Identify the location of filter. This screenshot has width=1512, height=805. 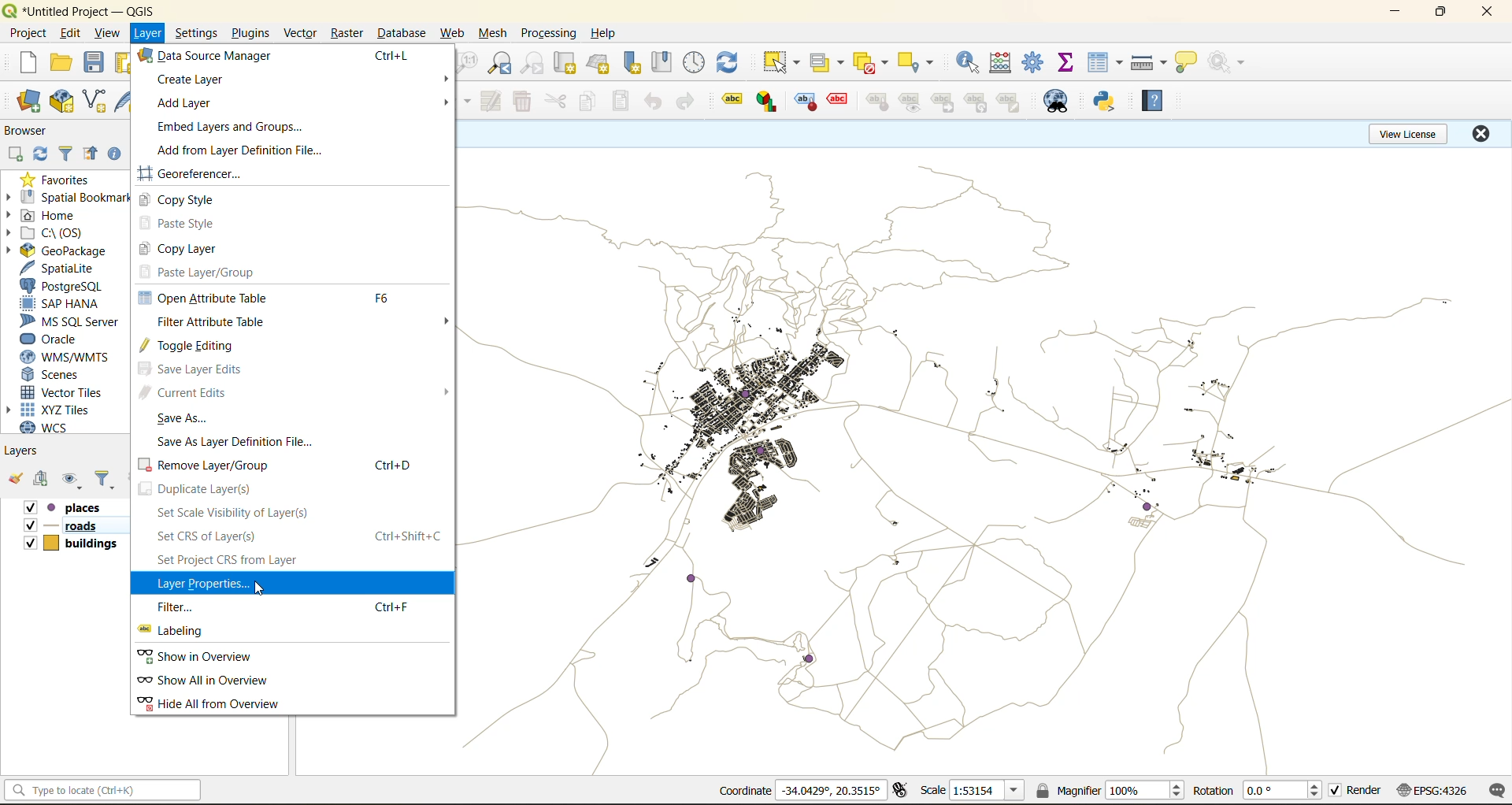
(105, 480).